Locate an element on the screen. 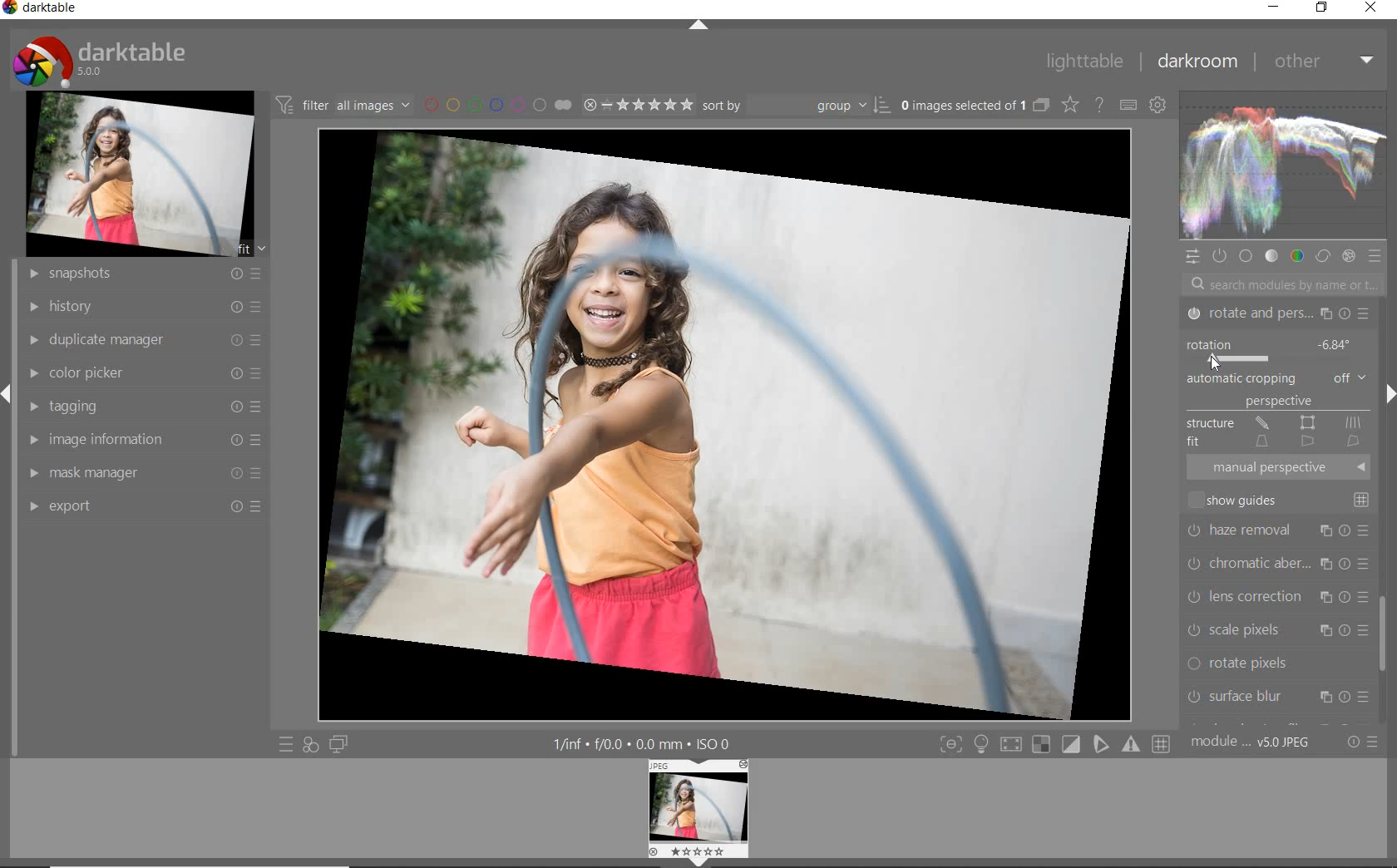  mask manager is located at coordinates (142, 474).